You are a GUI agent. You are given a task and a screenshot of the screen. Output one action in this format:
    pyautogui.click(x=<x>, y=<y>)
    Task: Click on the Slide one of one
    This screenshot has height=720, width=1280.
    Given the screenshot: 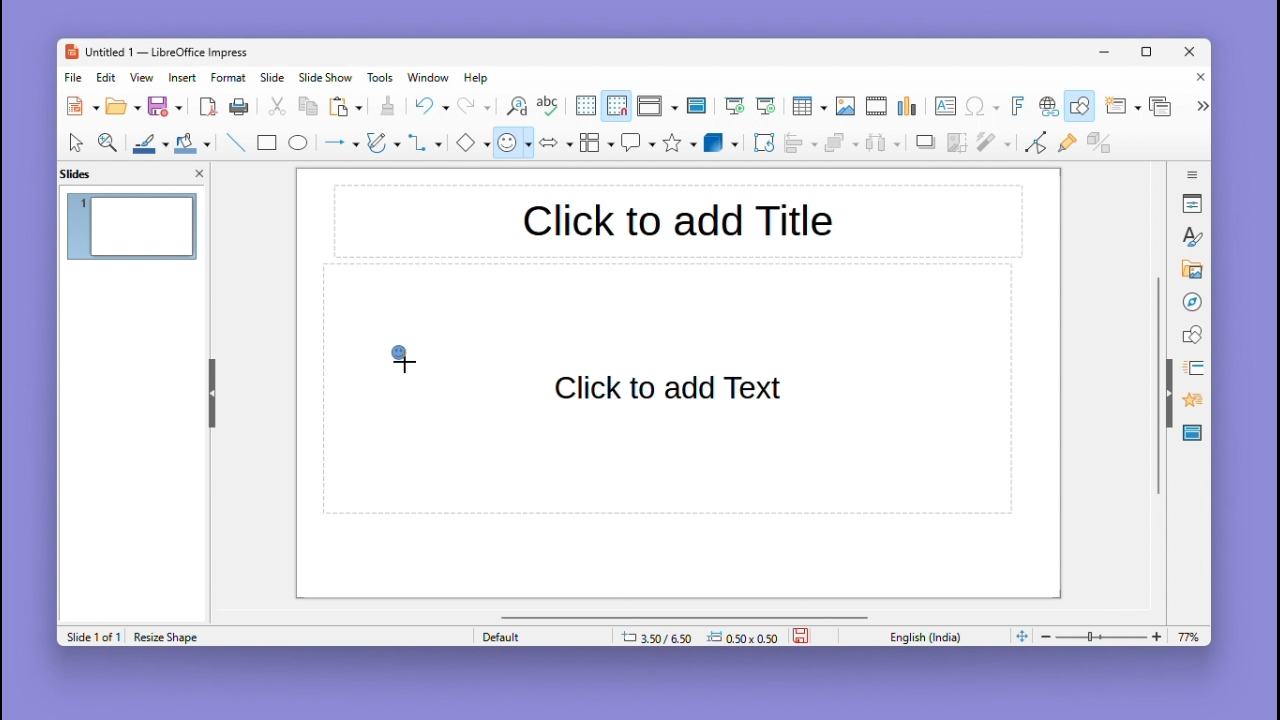 What is the action you would take?
    pyautogui.click(x=91, y=637)
    